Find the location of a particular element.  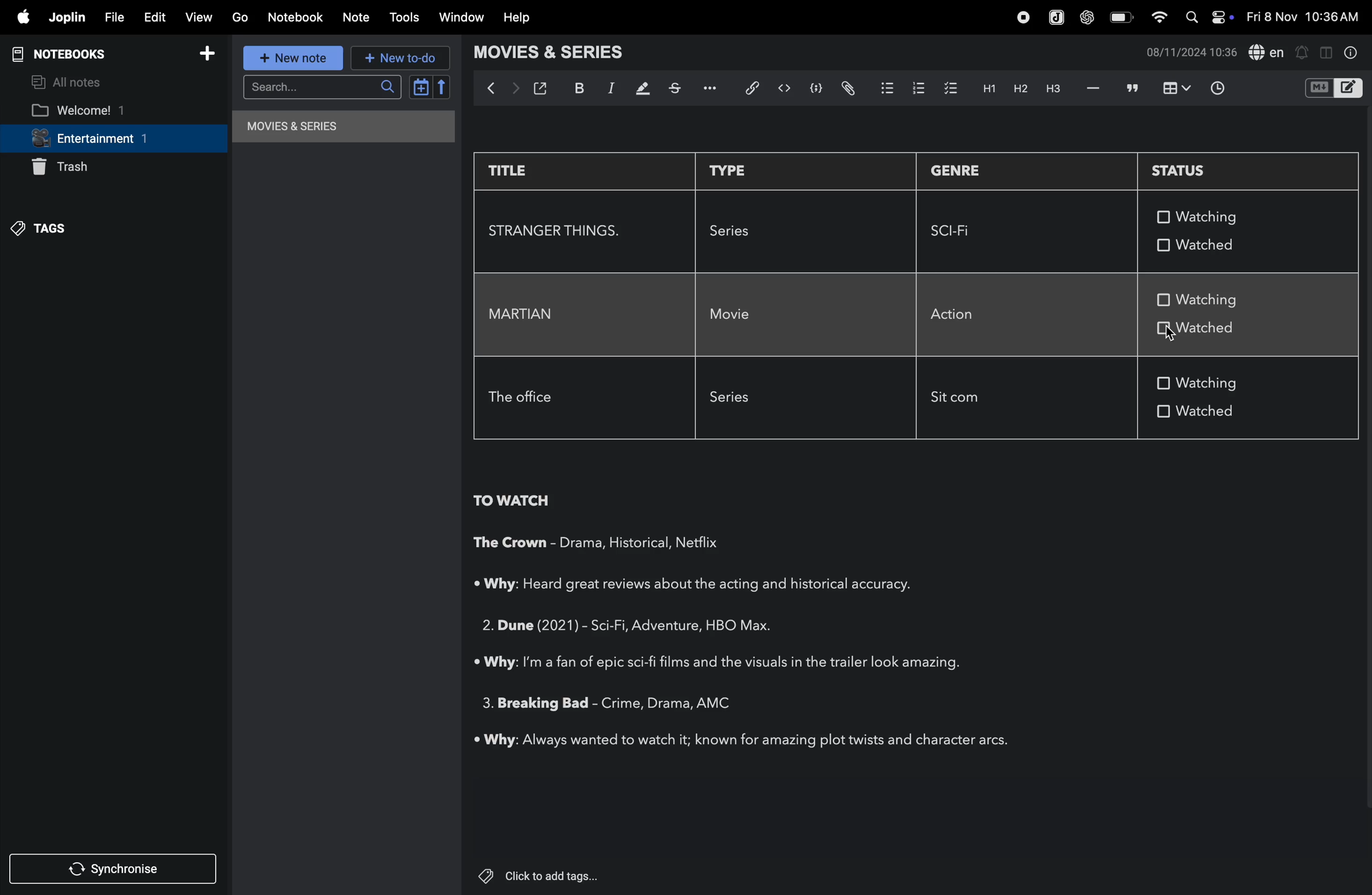

watched is located at coordinates (1215, 244).